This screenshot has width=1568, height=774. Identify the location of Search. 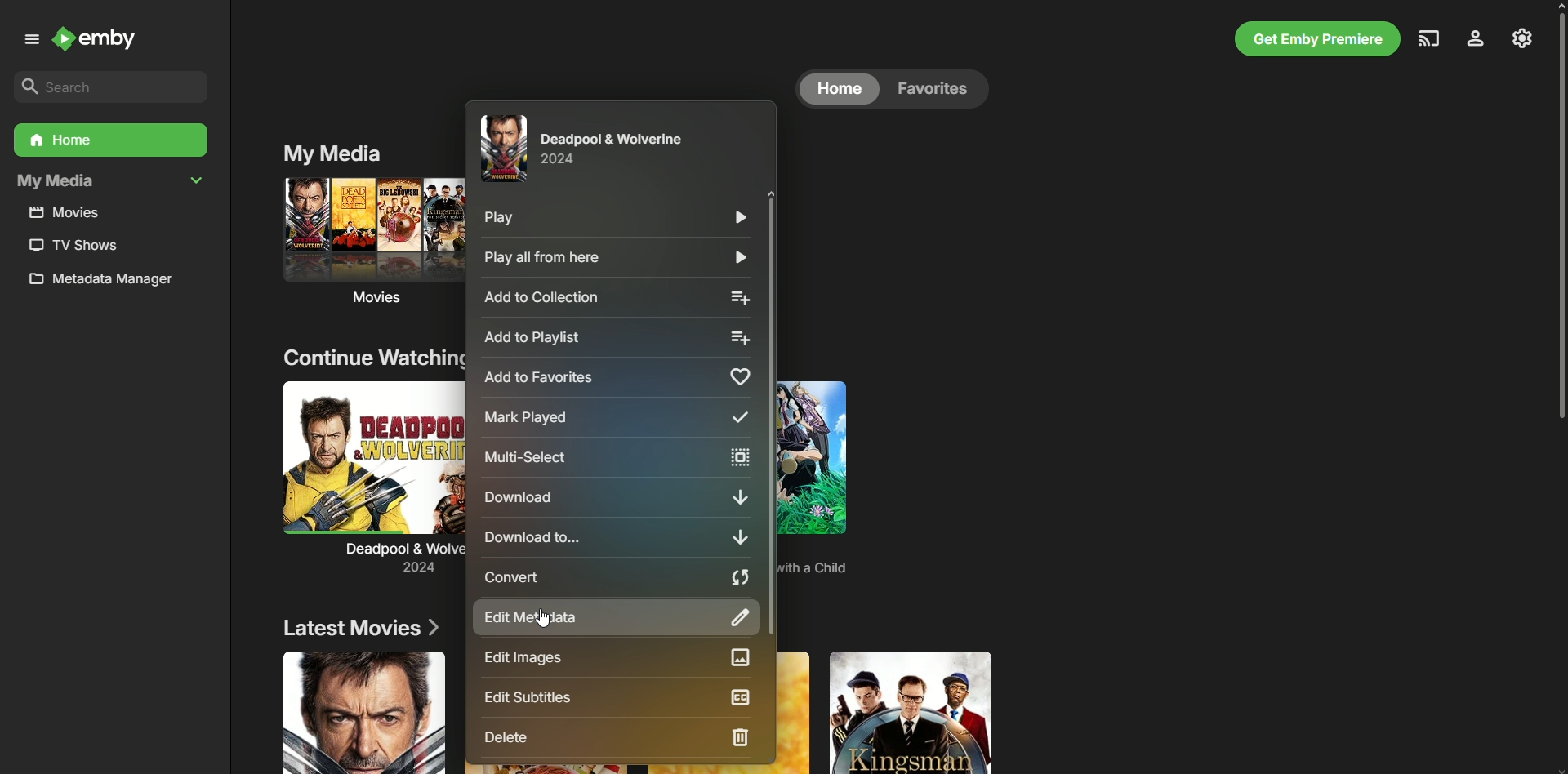
(105, 86).